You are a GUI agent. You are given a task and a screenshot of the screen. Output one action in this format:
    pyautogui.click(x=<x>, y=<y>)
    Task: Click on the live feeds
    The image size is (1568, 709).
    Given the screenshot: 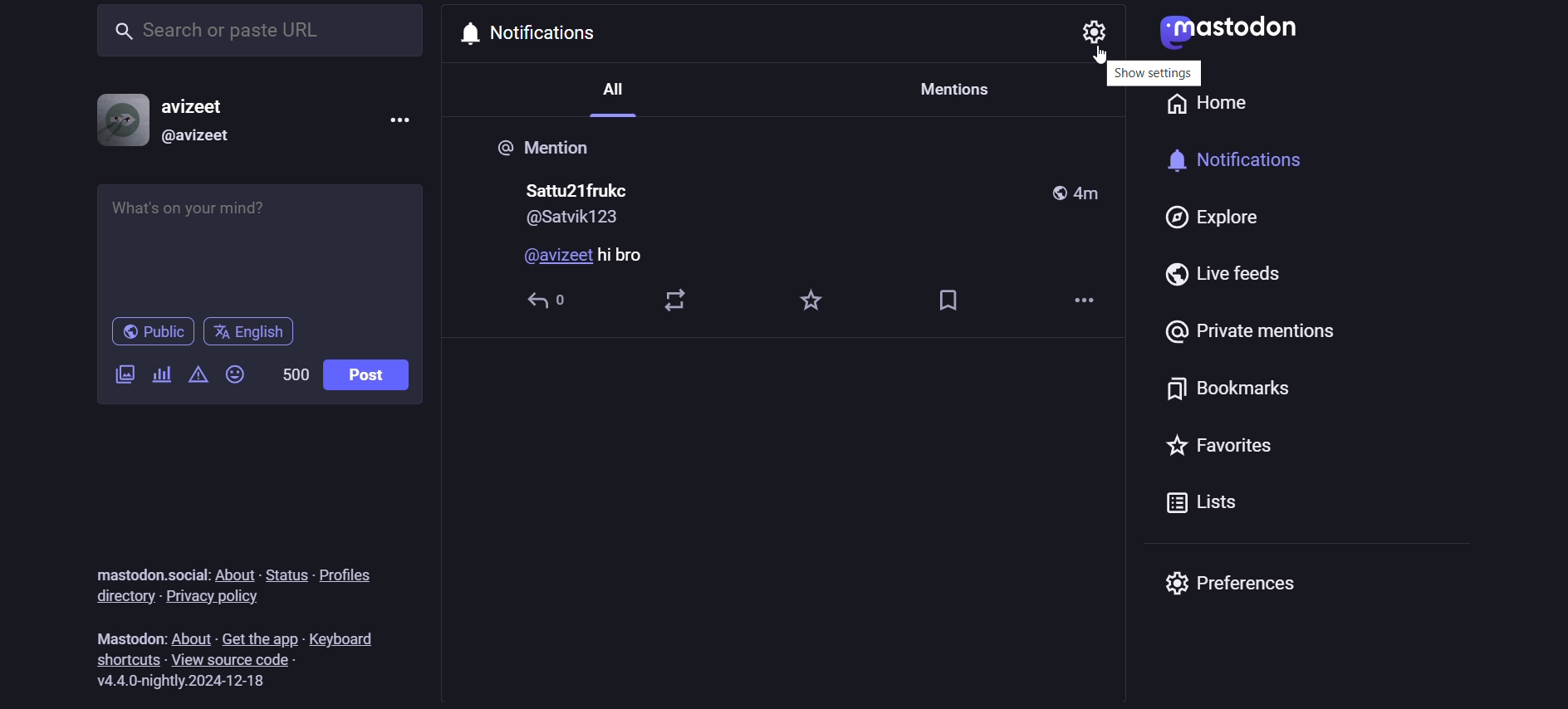 What is the action you would take?
    pyautogui.click(x=1221, y=277)
    